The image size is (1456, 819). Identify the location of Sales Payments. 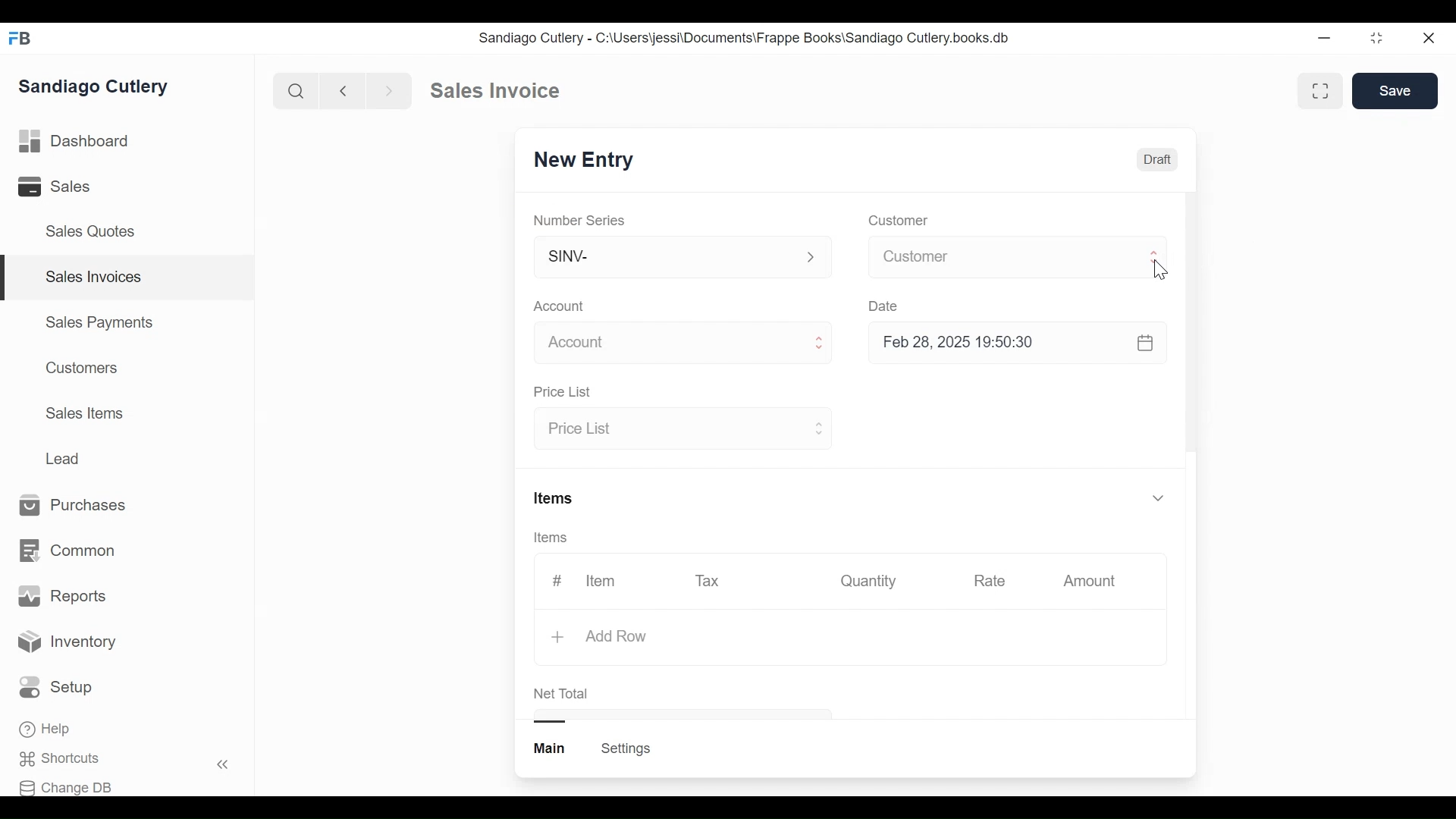
(98, 322).